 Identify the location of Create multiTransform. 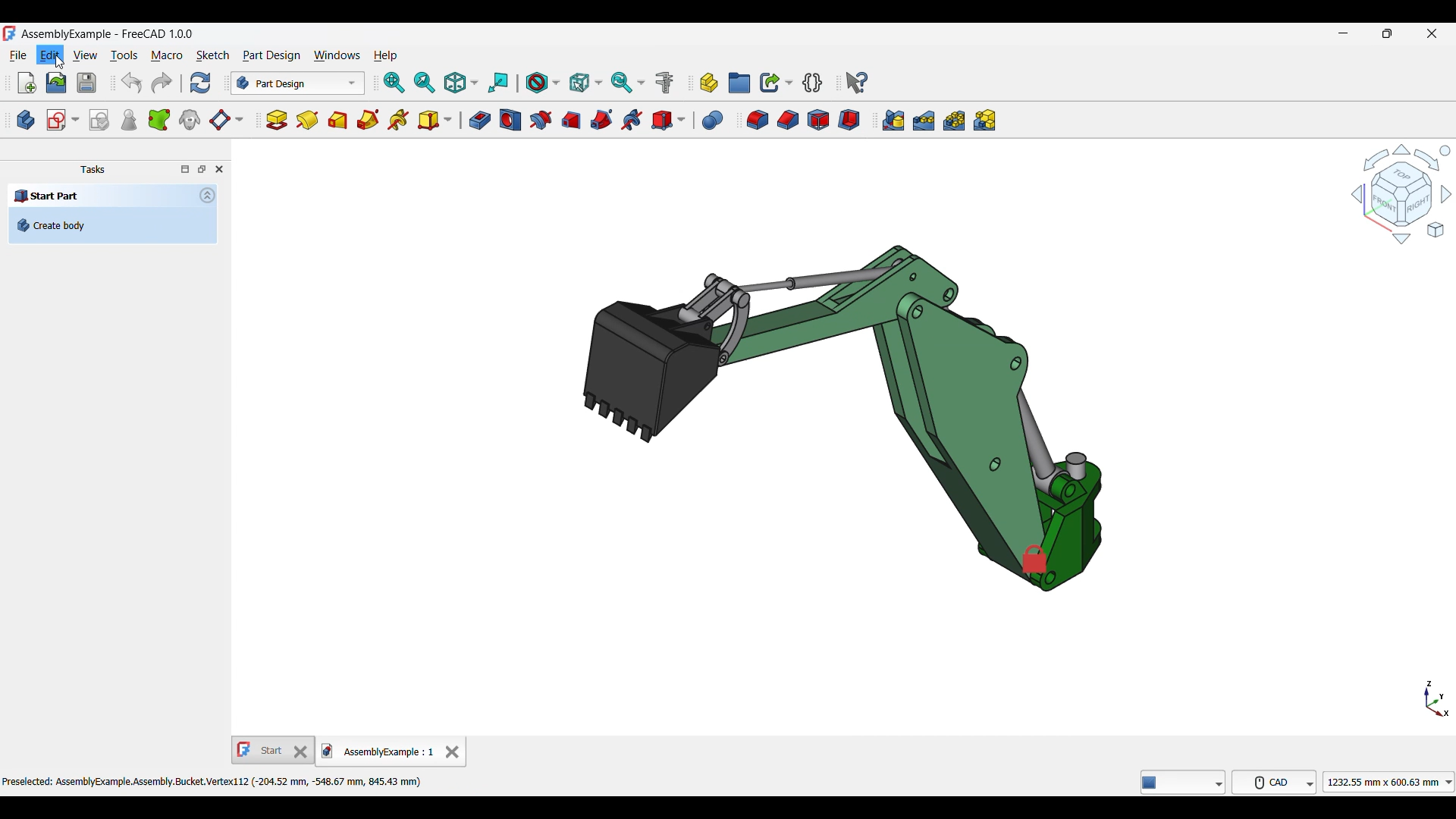
(985, 120).